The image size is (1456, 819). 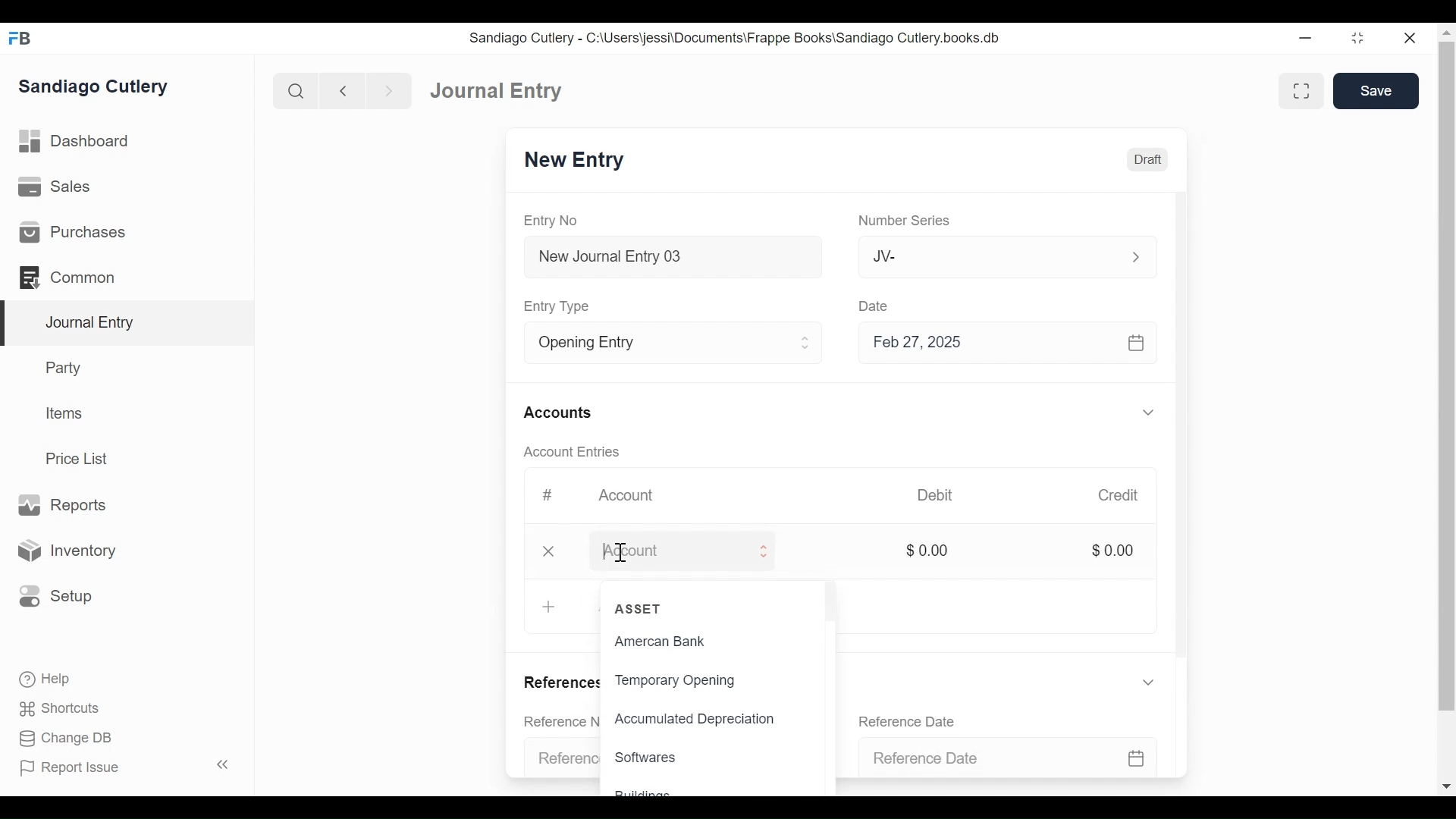 What do you see at coordinates (1116, 550) in the screenshot?
I see `$0.00` at bounding box center [1116, 550].